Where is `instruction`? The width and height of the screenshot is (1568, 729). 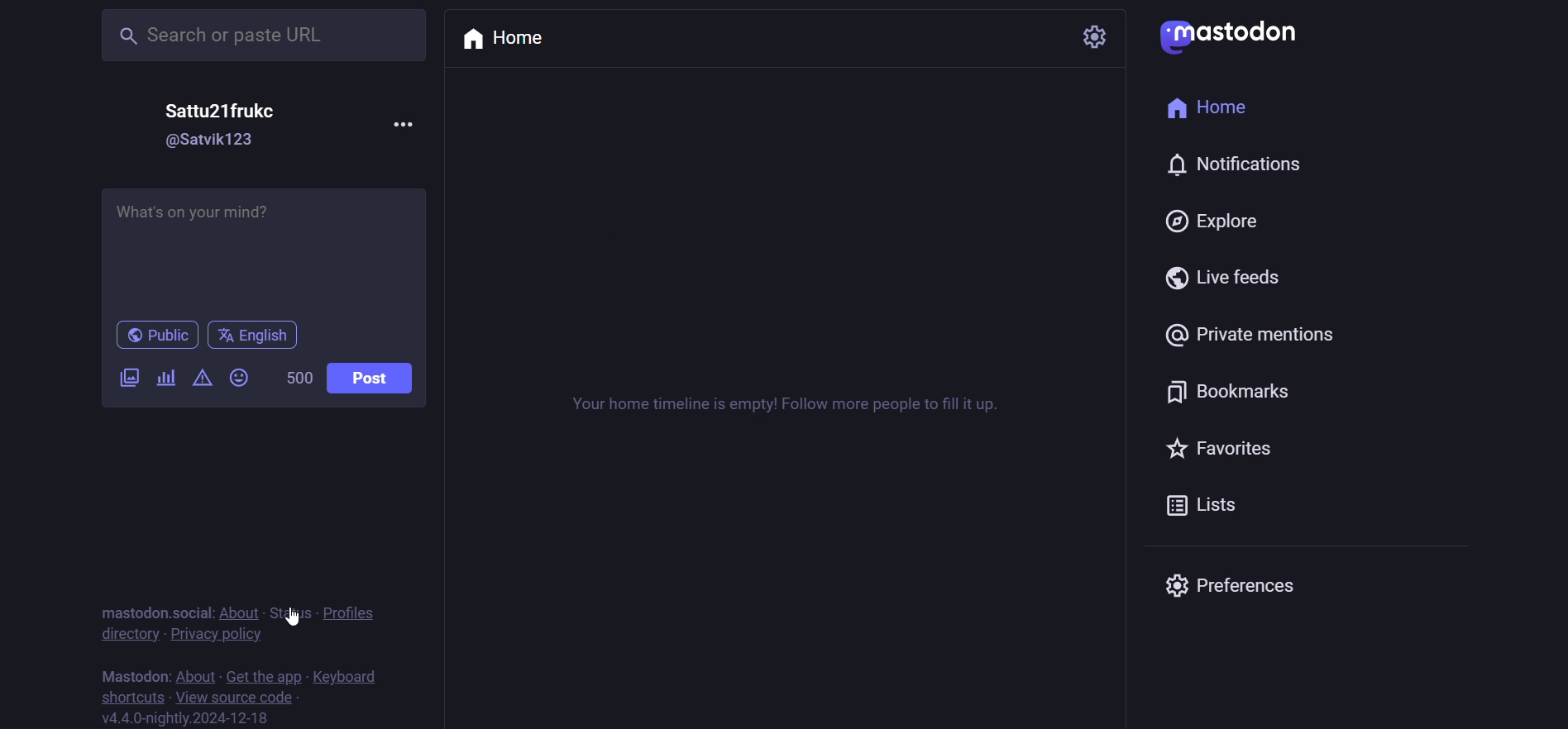
instruction is located at coordinates (785, 405).